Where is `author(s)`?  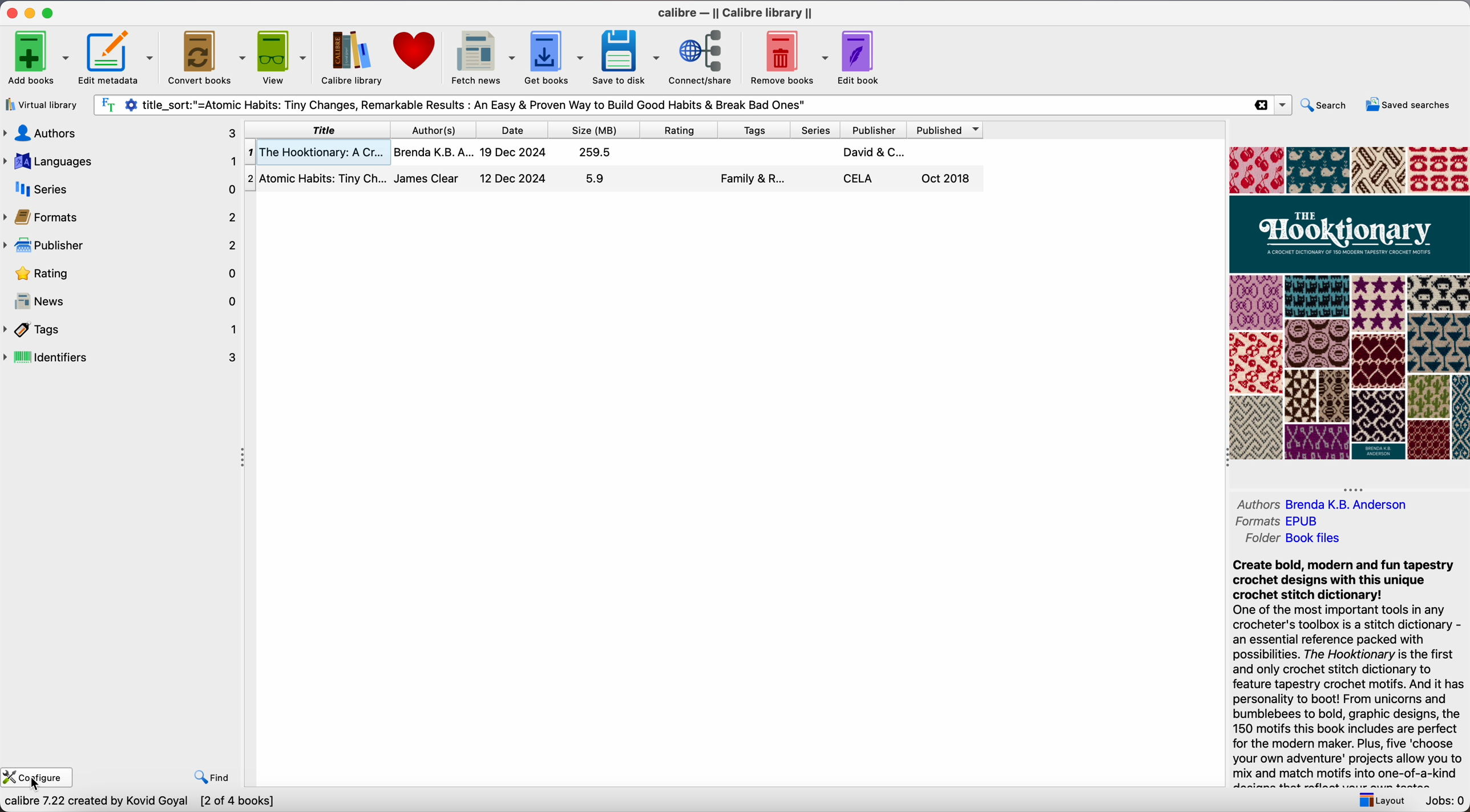
author(s) is located at coordinates (434, 128).